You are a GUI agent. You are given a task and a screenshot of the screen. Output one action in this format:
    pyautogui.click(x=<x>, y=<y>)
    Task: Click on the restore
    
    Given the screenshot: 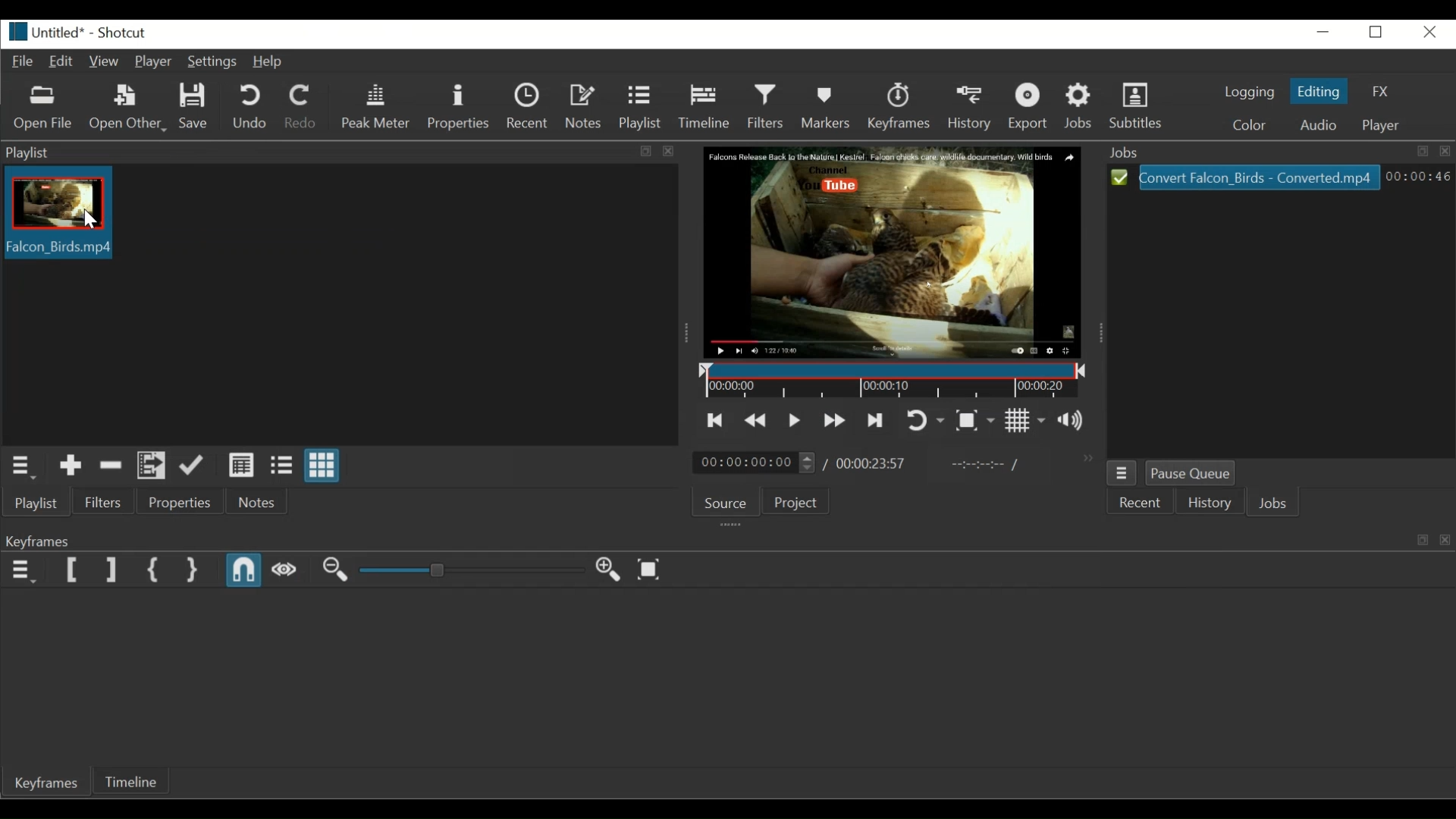 What is the action you would take?
    pyautogui.click(x=1419, y=538)
    